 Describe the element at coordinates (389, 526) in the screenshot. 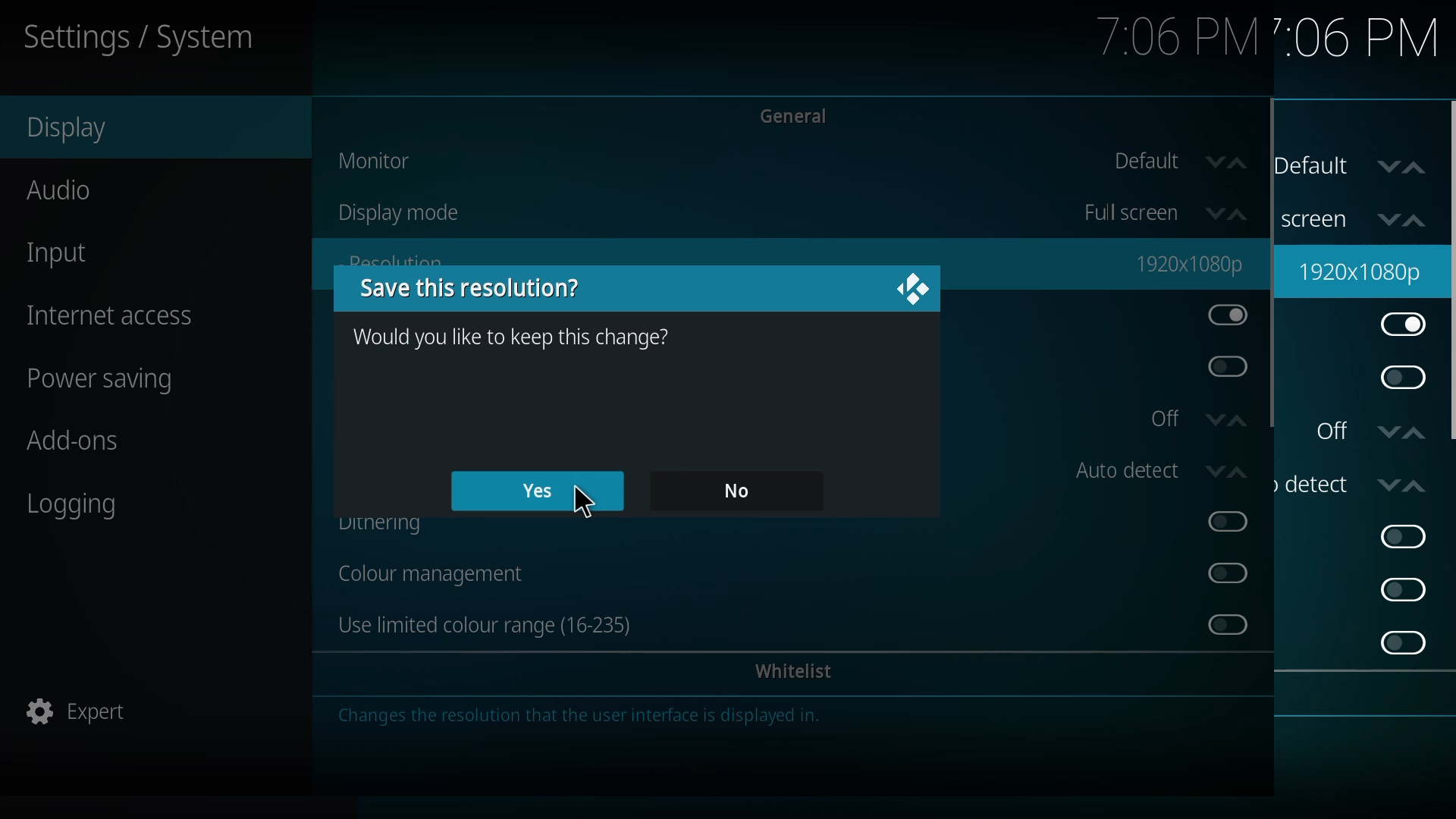

I see `dithering` at that location.